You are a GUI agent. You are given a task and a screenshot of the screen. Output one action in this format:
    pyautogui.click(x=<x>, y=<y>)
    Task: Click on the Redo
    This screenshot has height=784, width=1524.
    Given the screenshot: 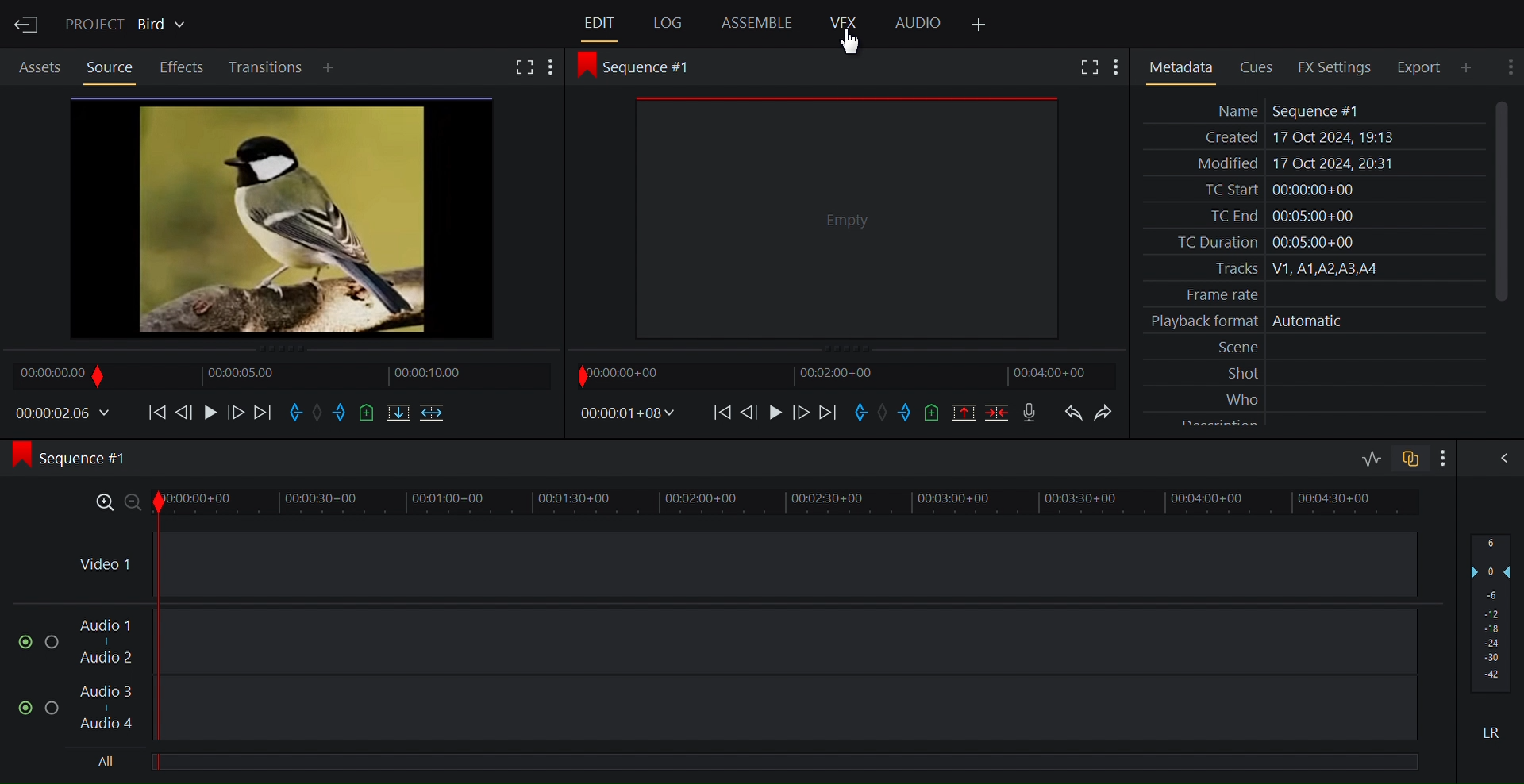 What is the action you would take?
    pyautogui.click(x=1103, y=413)
    